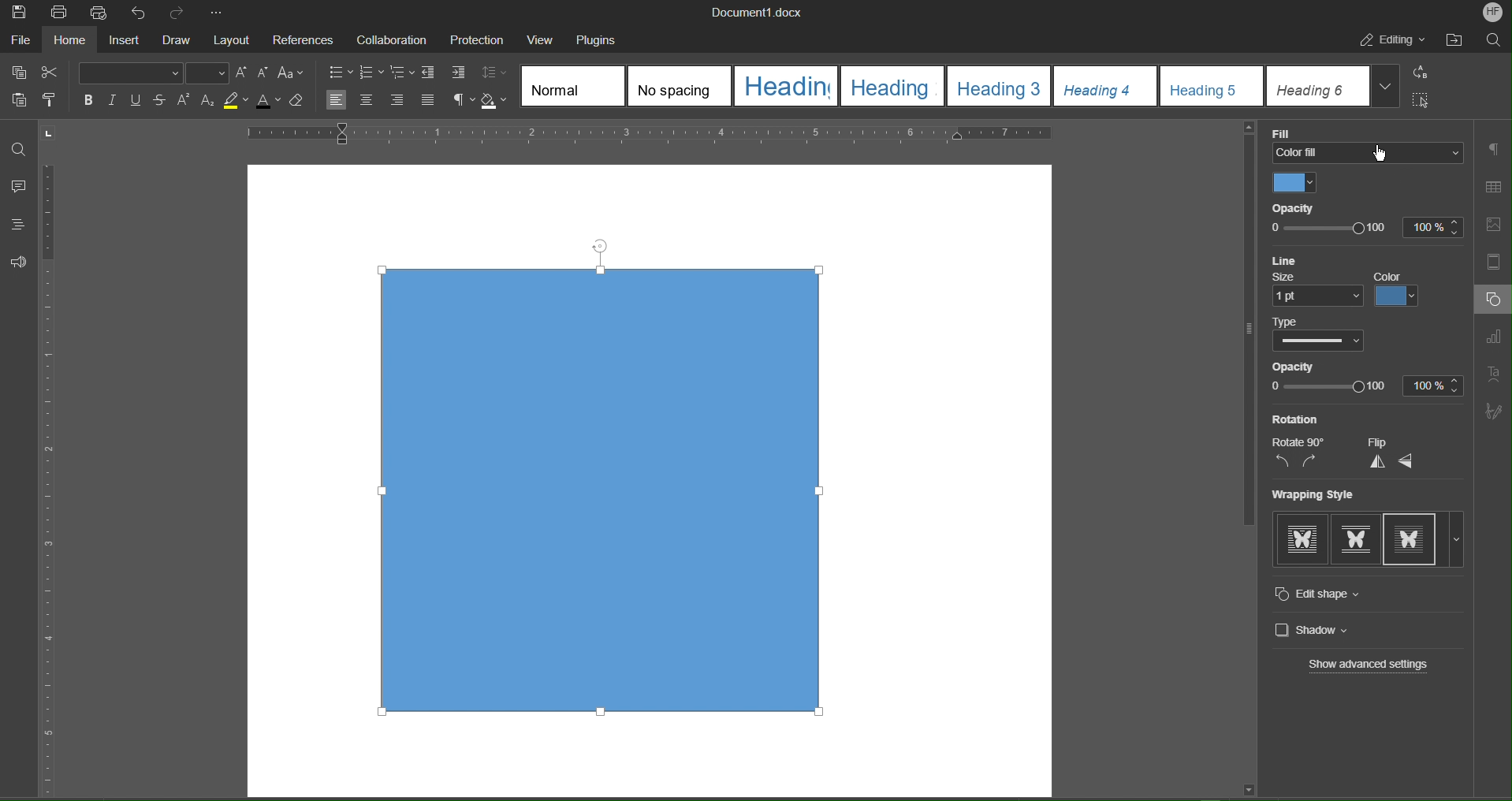  What do you see at coordinates (767, 13) in the screenshot?
I see `Document1.docx` at bounding box center [767, 13].